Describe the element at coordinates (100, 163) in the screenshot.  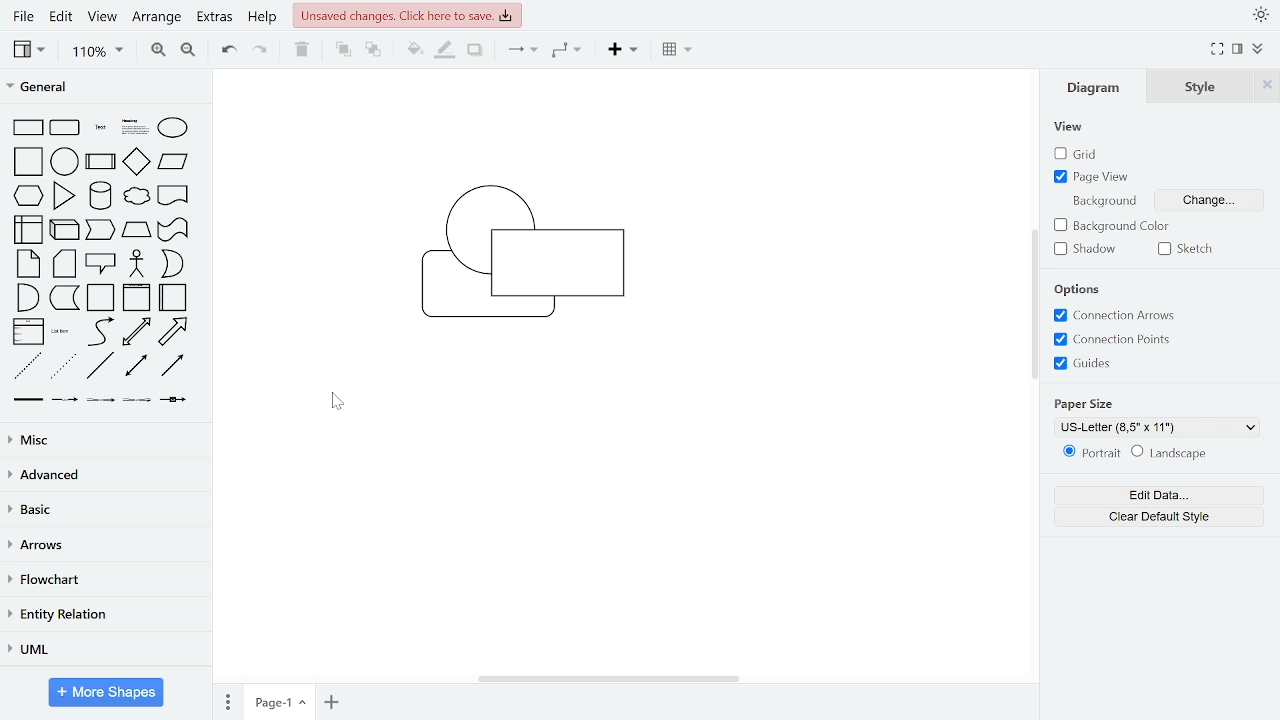
I see `process` at that location.